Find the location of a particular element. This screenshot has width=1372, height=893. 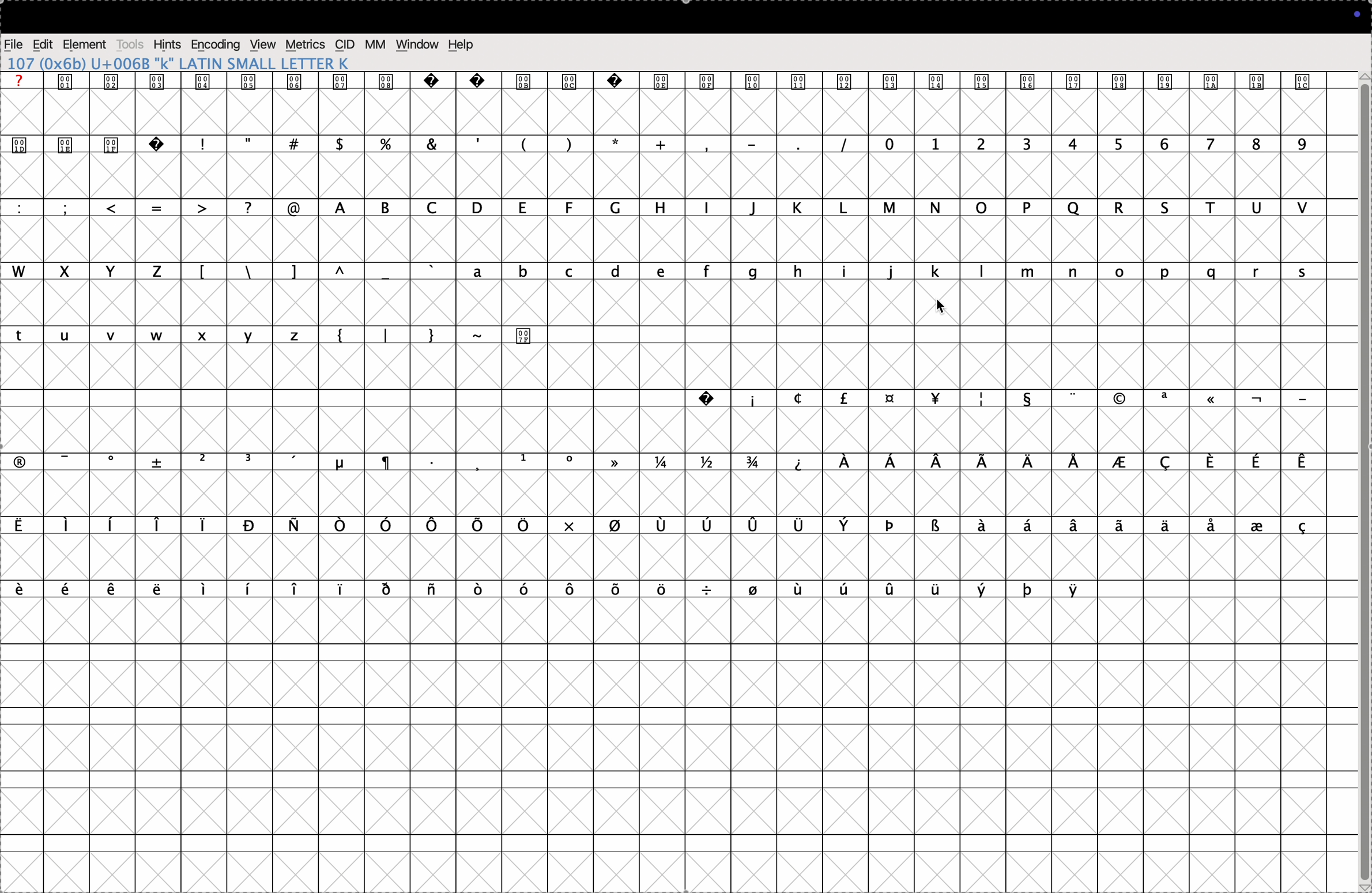

symbol list is located at coordinates (616, 462).